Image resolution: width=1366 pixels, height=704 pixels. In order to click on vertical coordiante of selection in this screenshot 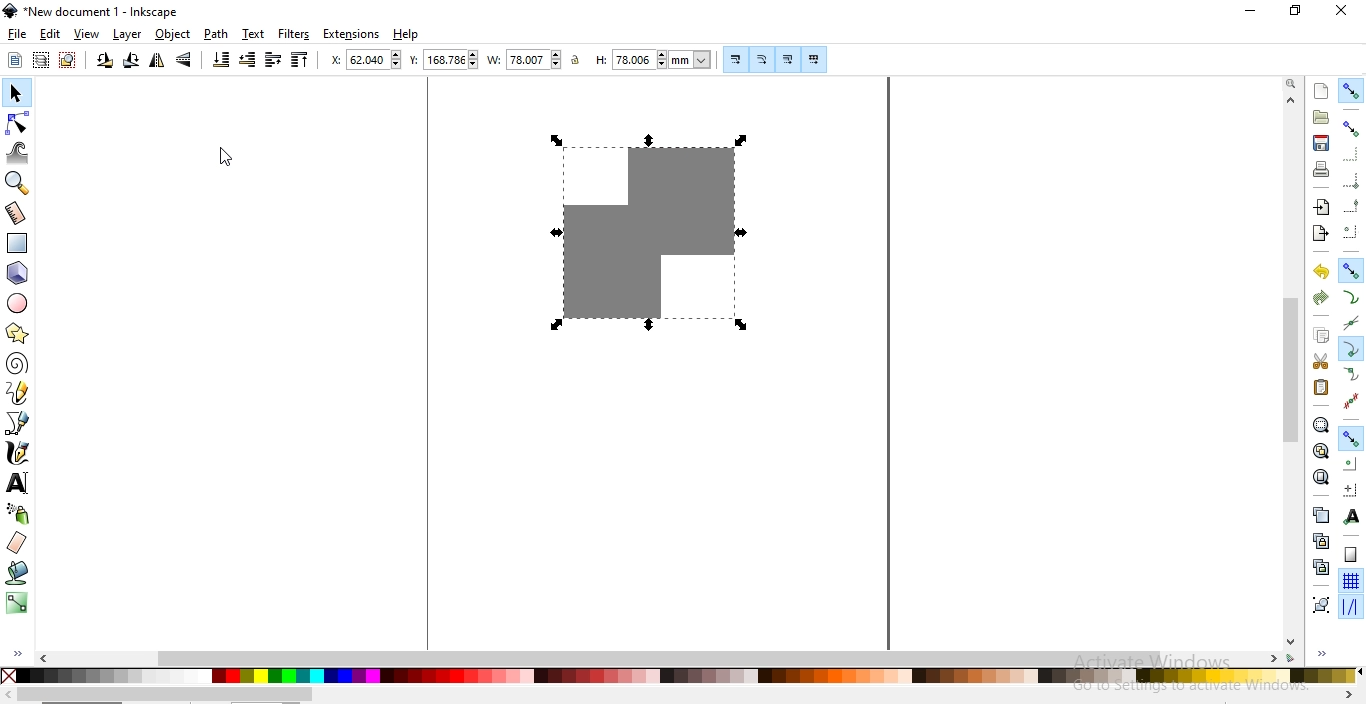, I will do `click(444, 61)`.